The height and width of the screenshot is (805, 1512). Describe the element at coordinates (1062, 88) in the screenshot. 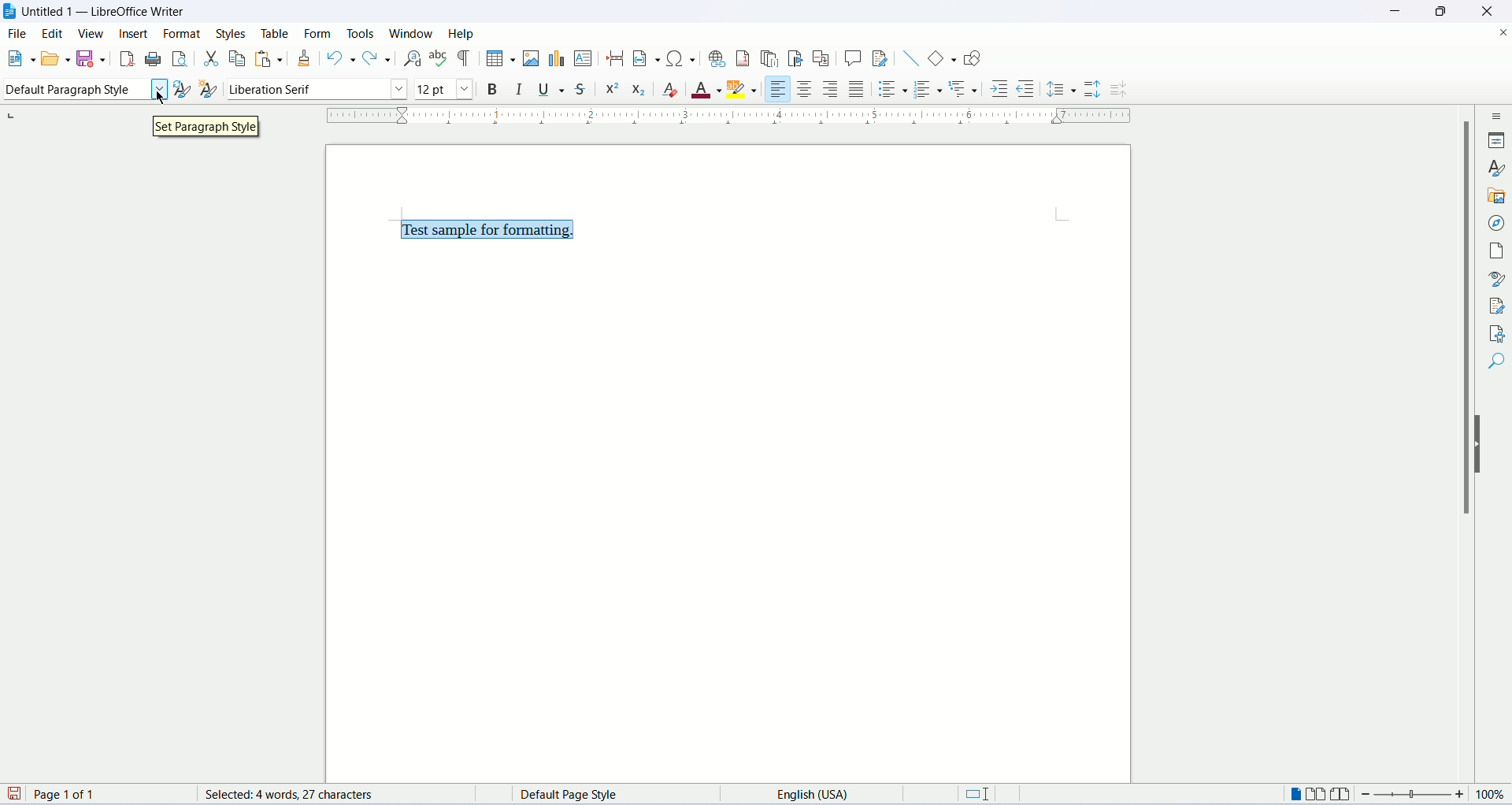

I see `line spacing` at that location.